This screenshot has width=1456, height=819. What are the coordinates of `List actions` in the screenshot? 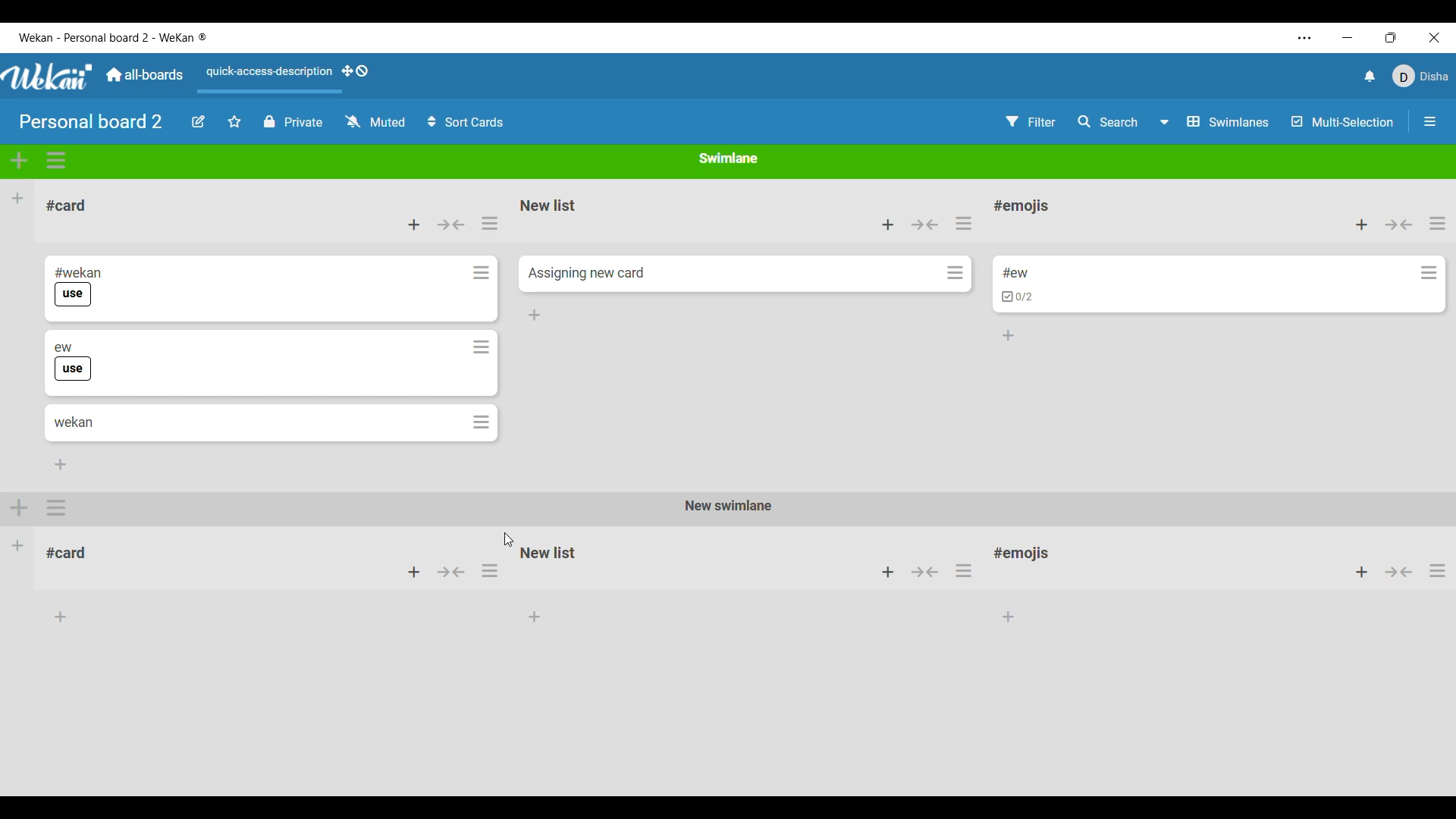 It's located at (963, 223).